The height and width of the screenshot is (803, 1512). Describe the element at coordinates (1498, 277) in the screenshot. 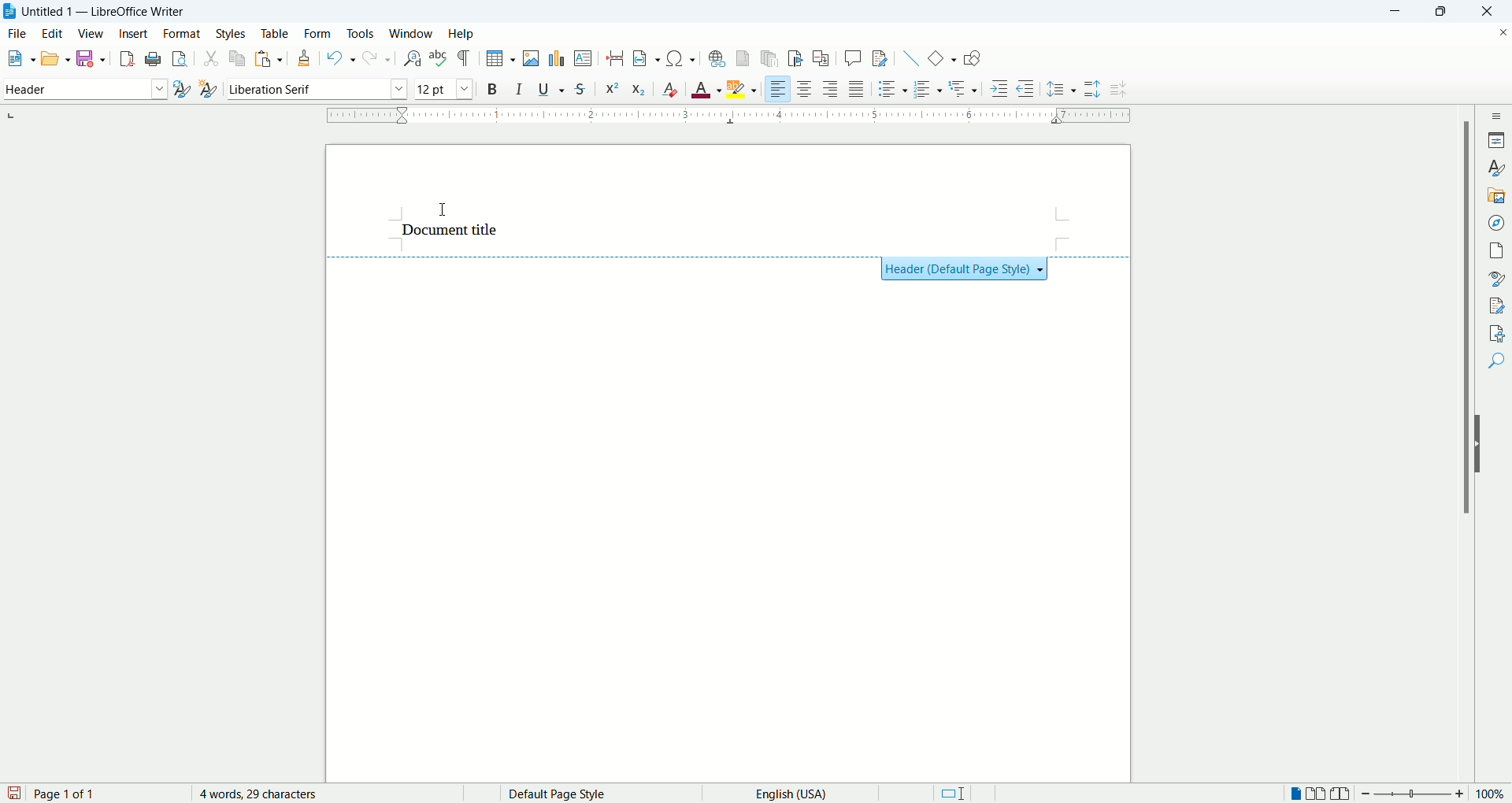

I see `style inspector` at that location.